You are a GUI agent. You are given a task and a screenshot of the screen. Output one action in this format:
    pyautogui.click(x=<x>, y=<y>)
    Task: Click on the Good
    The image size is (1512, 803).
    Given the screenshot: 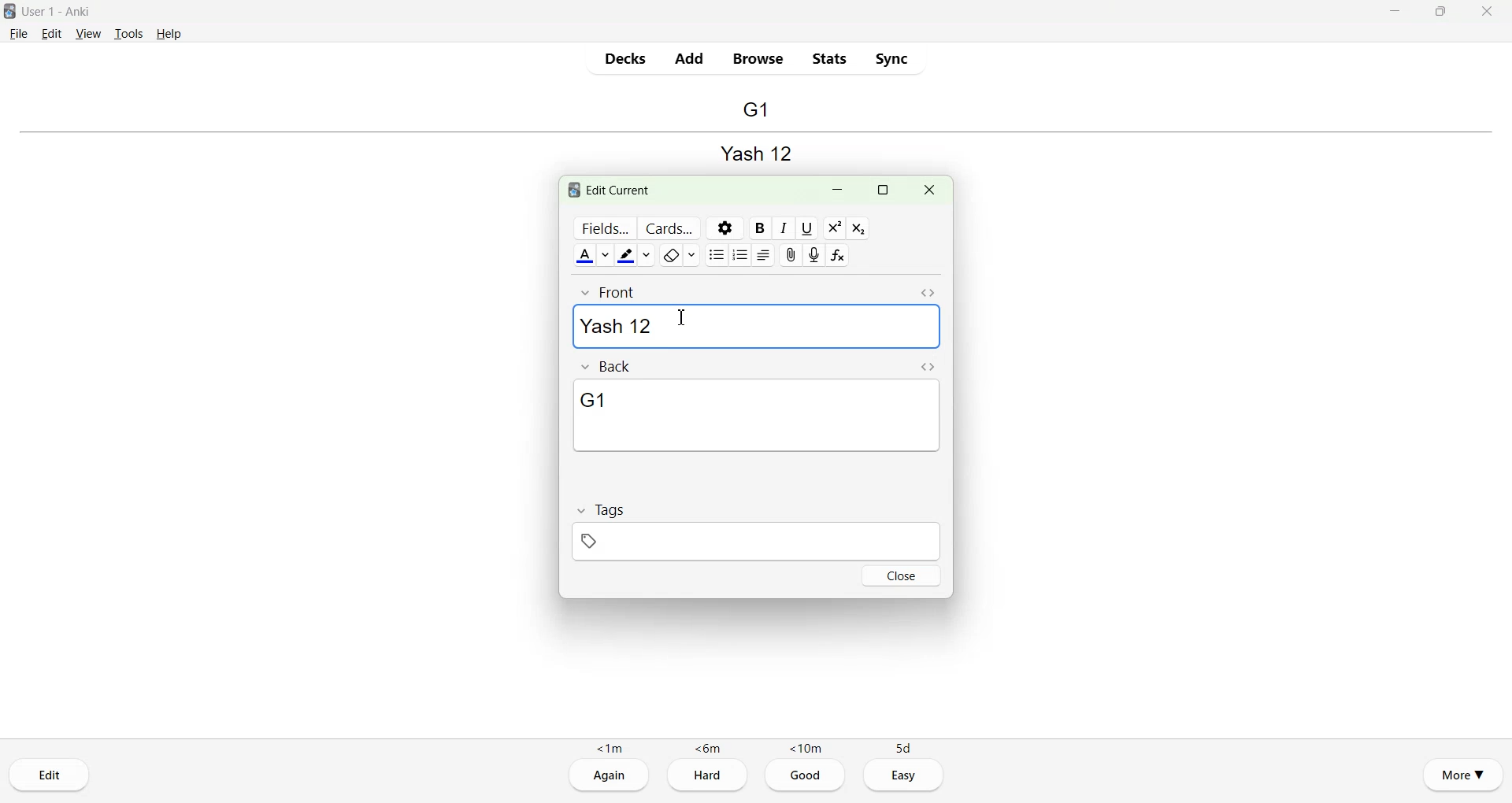 What is the action you would take?
    pyautogui.click(x=806, y=776)
    